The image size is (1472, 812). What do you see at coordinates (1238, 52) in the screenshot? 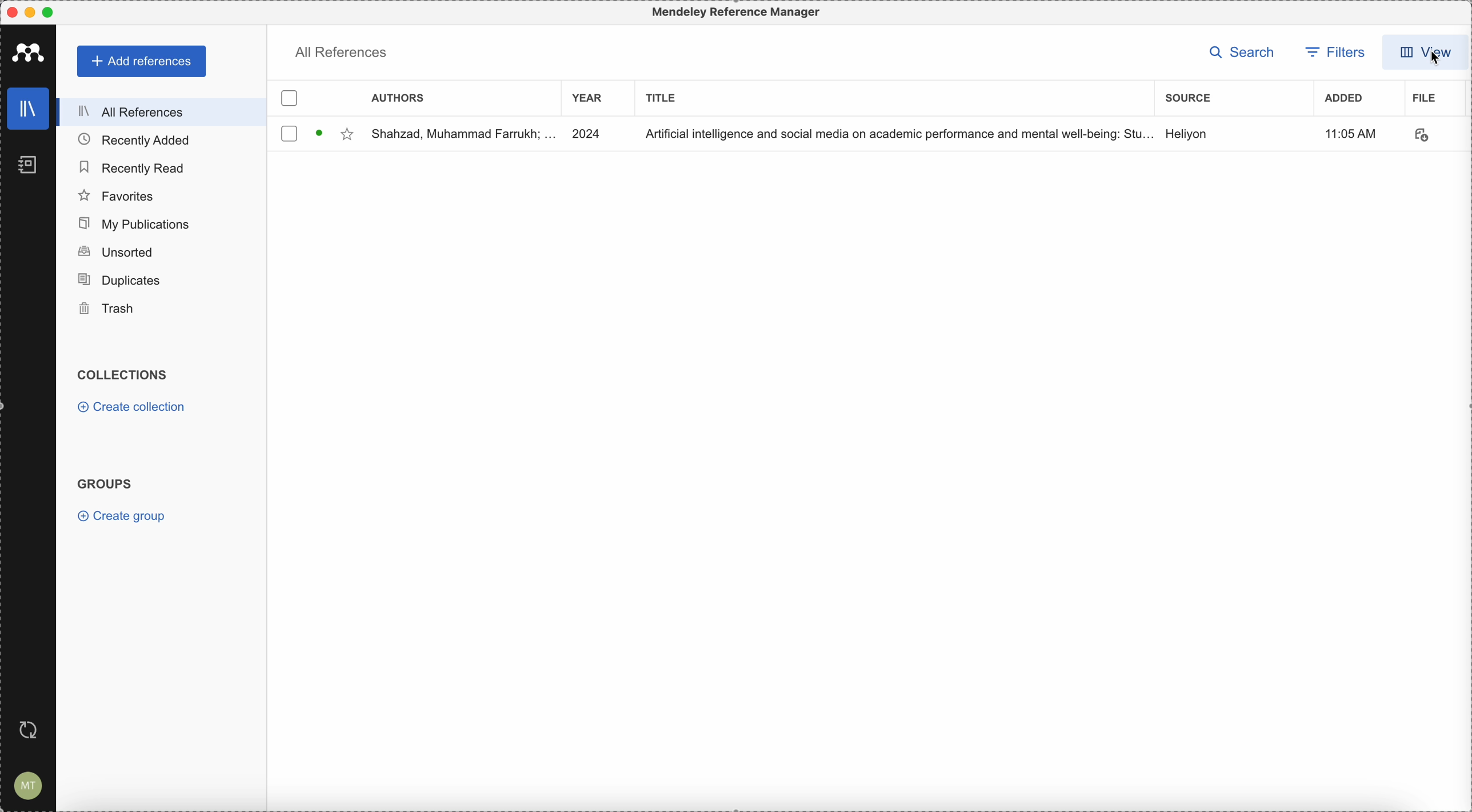
I see `search` at bounding box center [1238, 52].